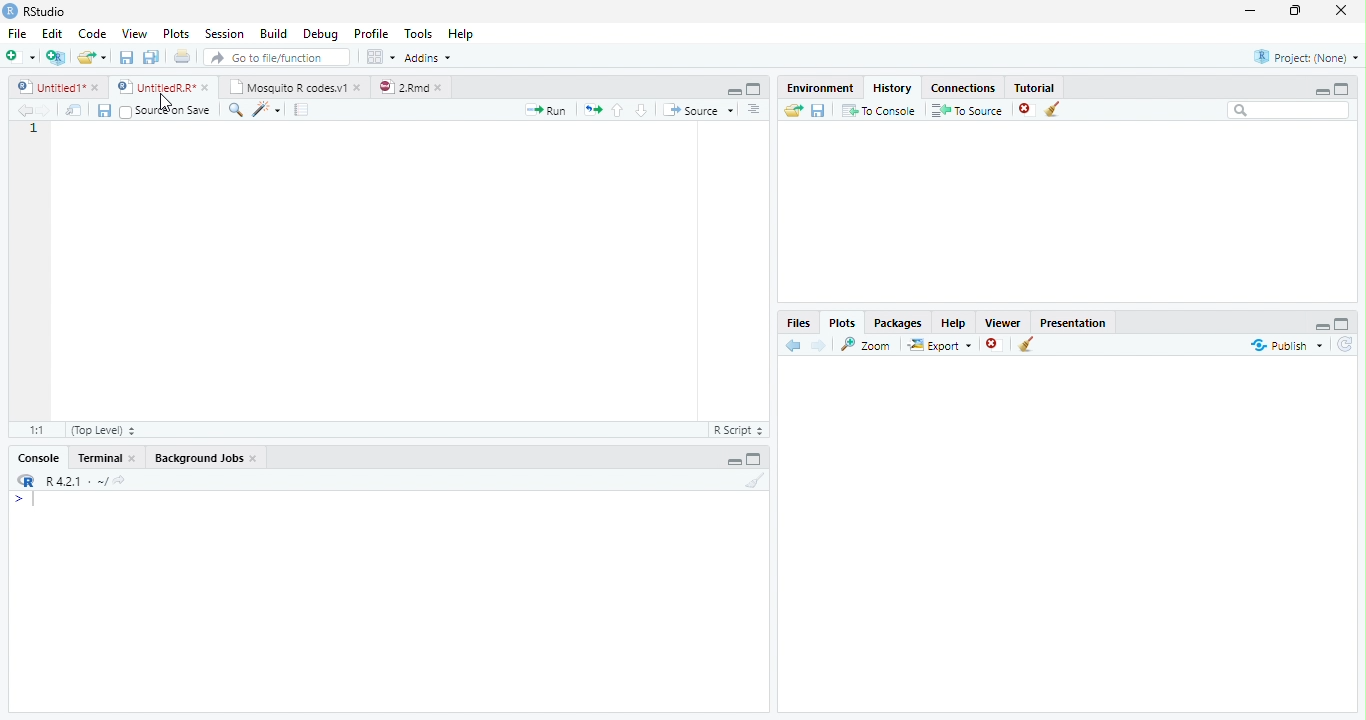  What do you see at coordinates (164, 104) in the screenshot?
I see `Mouse Cursor` at bounding box center [164, 104].